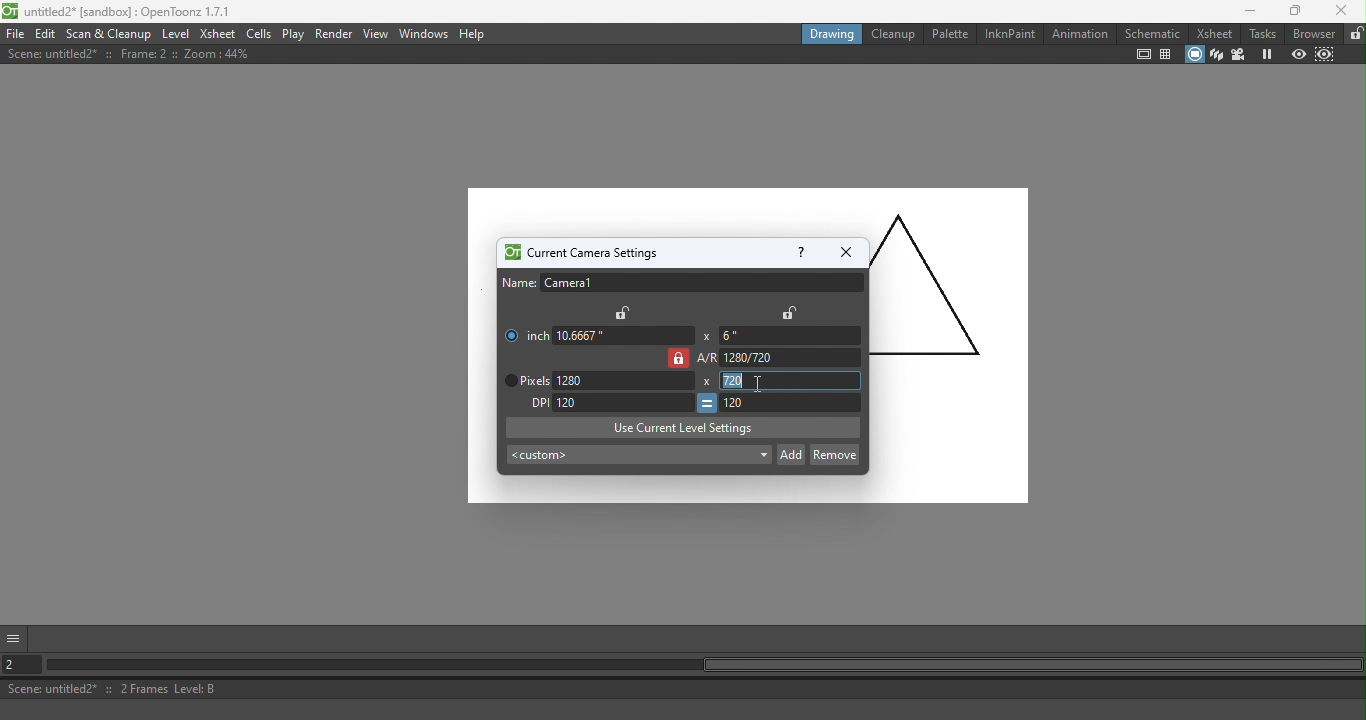 Image resolution: width=1366 pixels, height=720 pixels. What do you see at coordinates (623, 401) in the screenshot?
I see `Enter pixel` at bounding box center [623, 401].